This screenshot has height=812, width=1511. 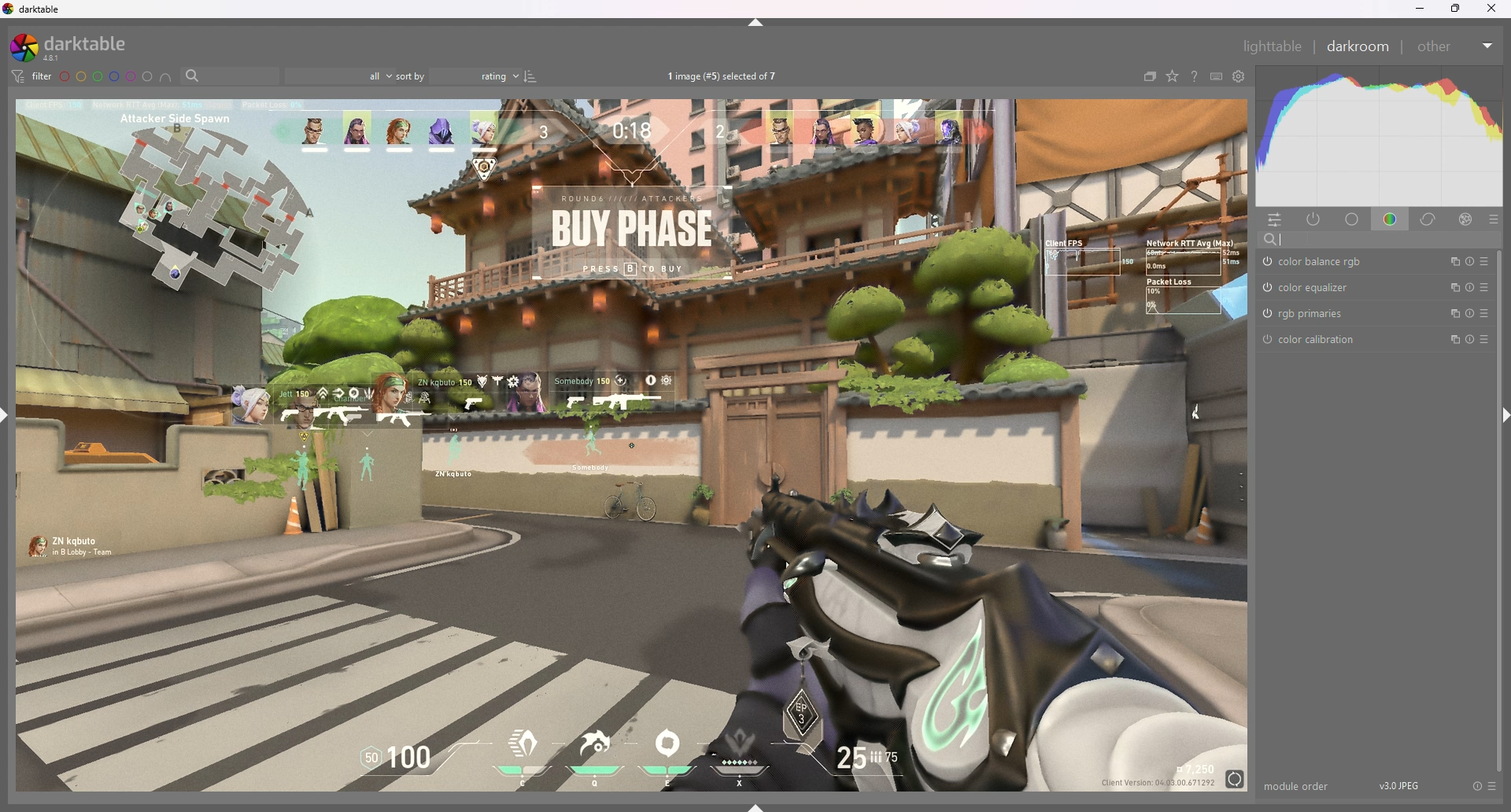 I want to click on multiple instances action, so click(x=1451, y=314).